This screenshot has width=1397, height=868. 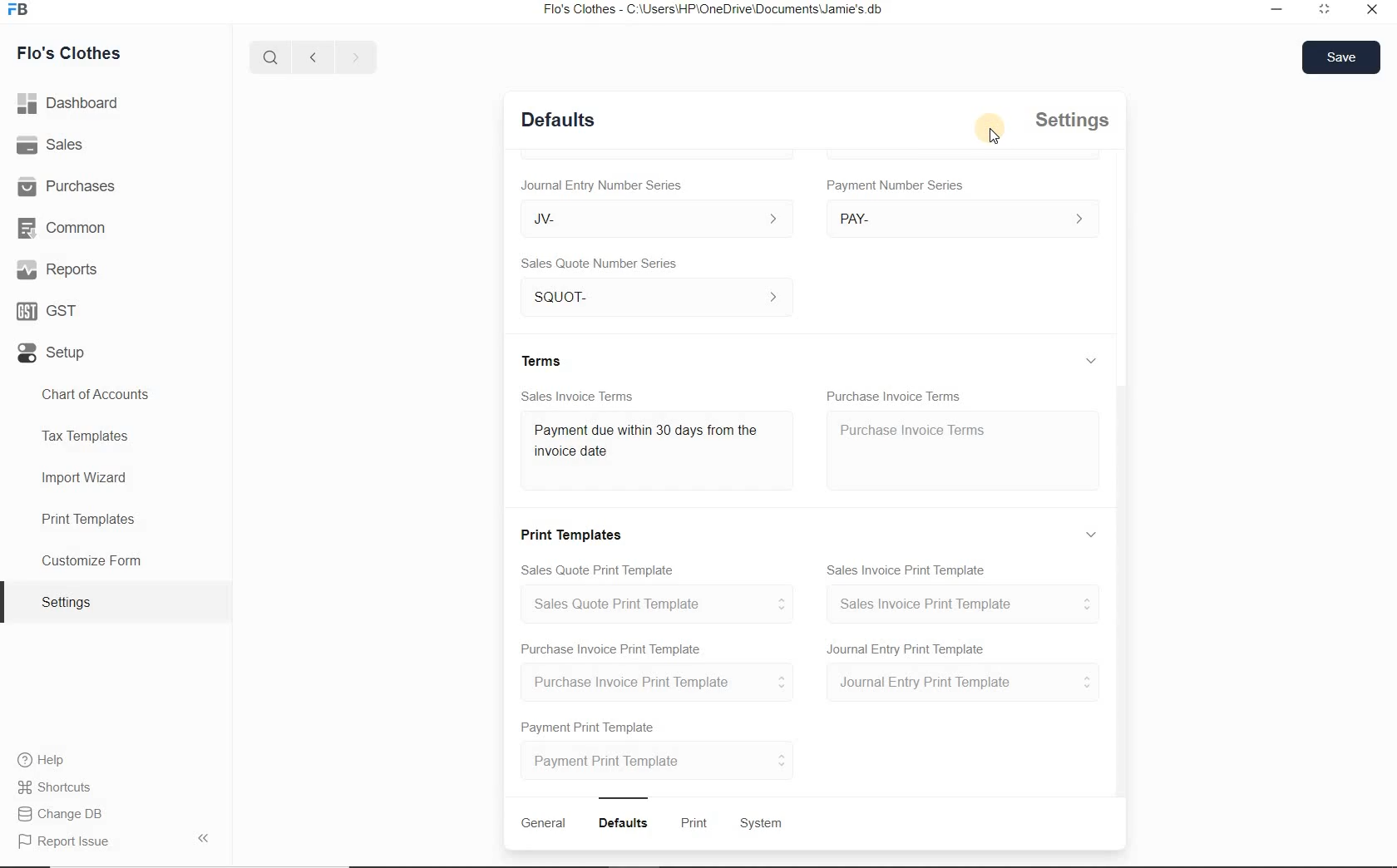 What do you see at coordinates (964, 450) in the screenshot?
I see `Purchase Invoice Terms` at bounding box center [964, 450].